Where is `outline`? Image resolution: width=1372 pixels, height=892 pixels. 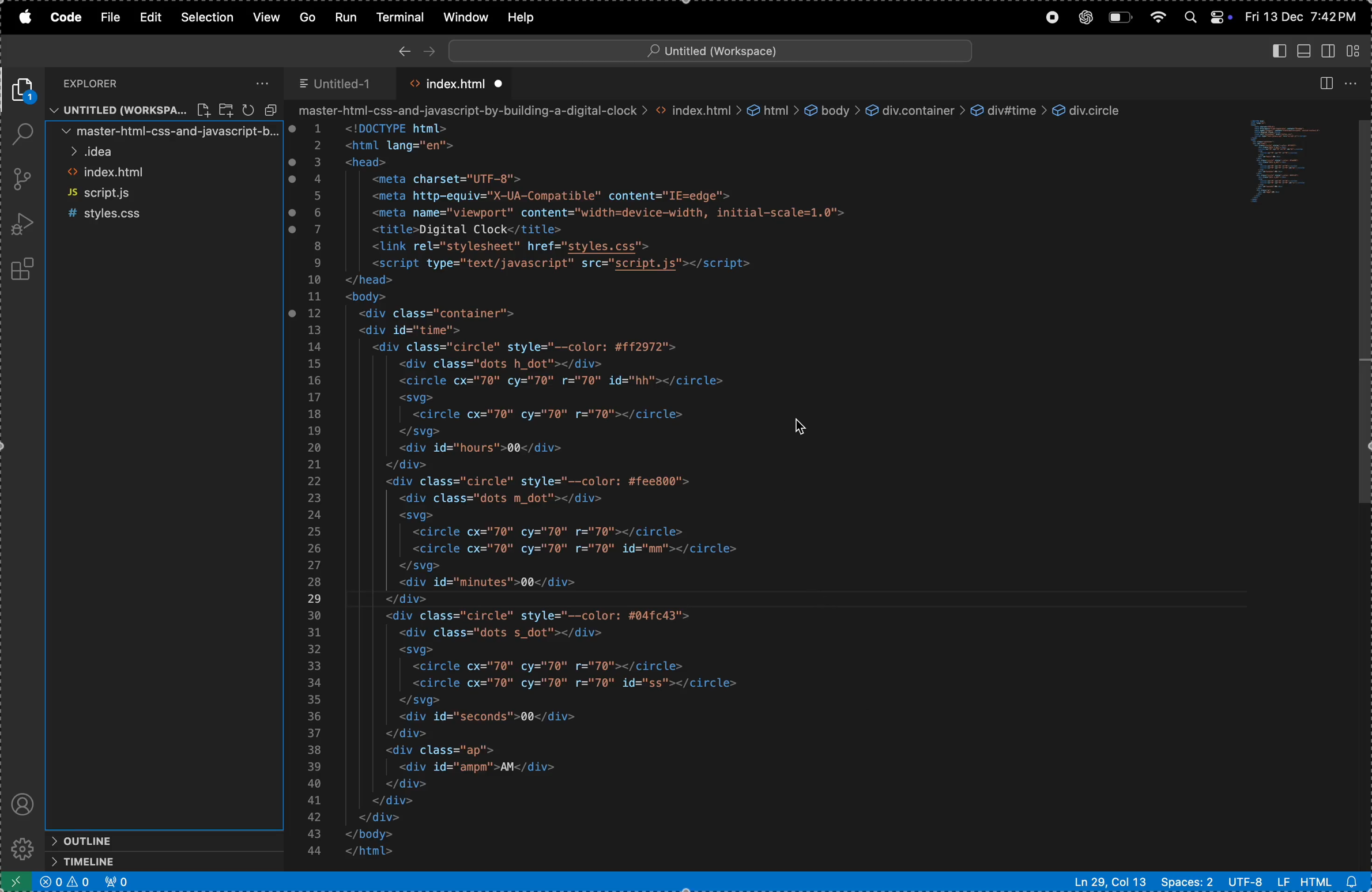
outline is located at coordinates (140, 840).